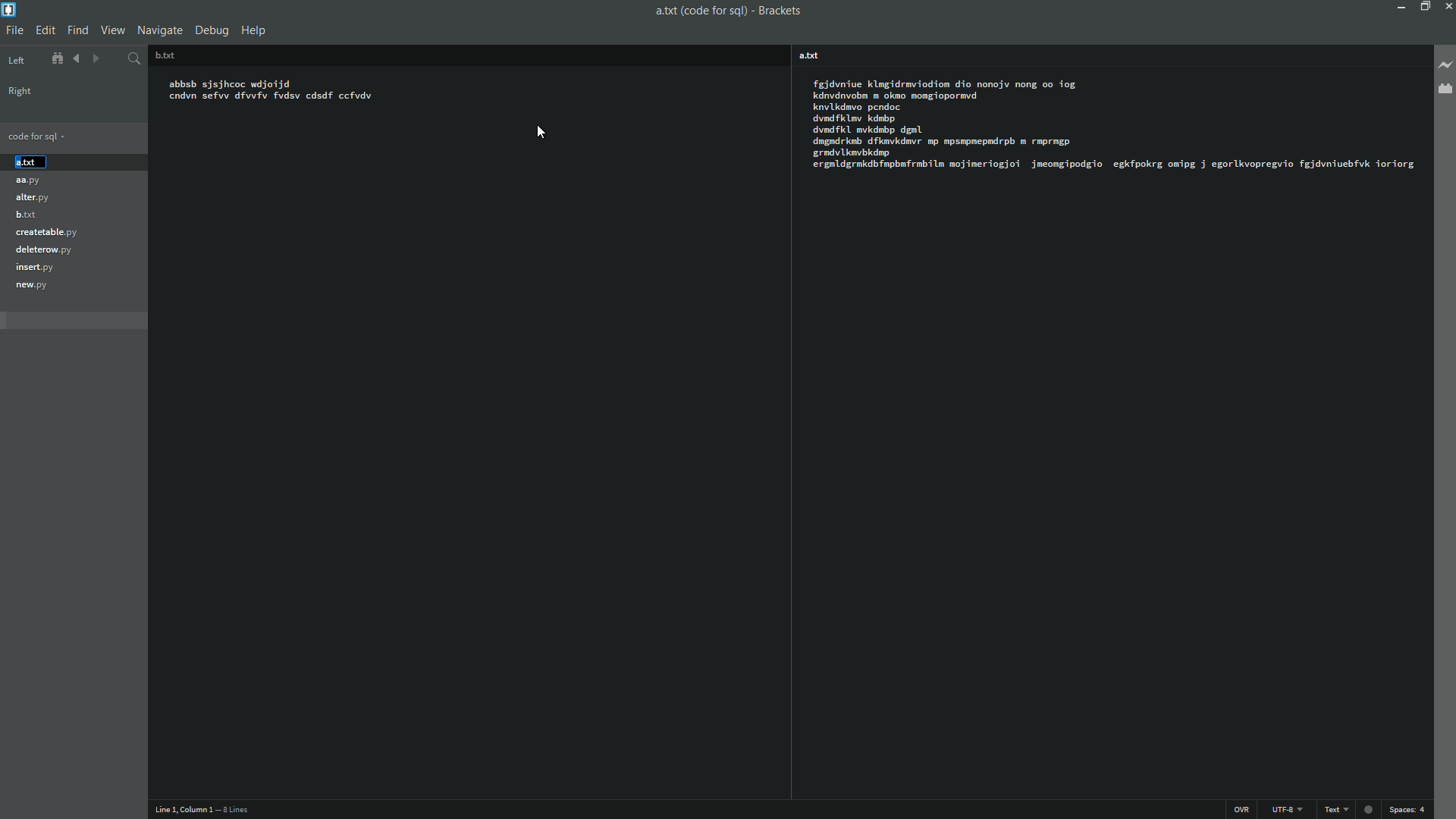 This screenshot has height=819, width=1456. I want to click on insert.py, so click(33, 267).